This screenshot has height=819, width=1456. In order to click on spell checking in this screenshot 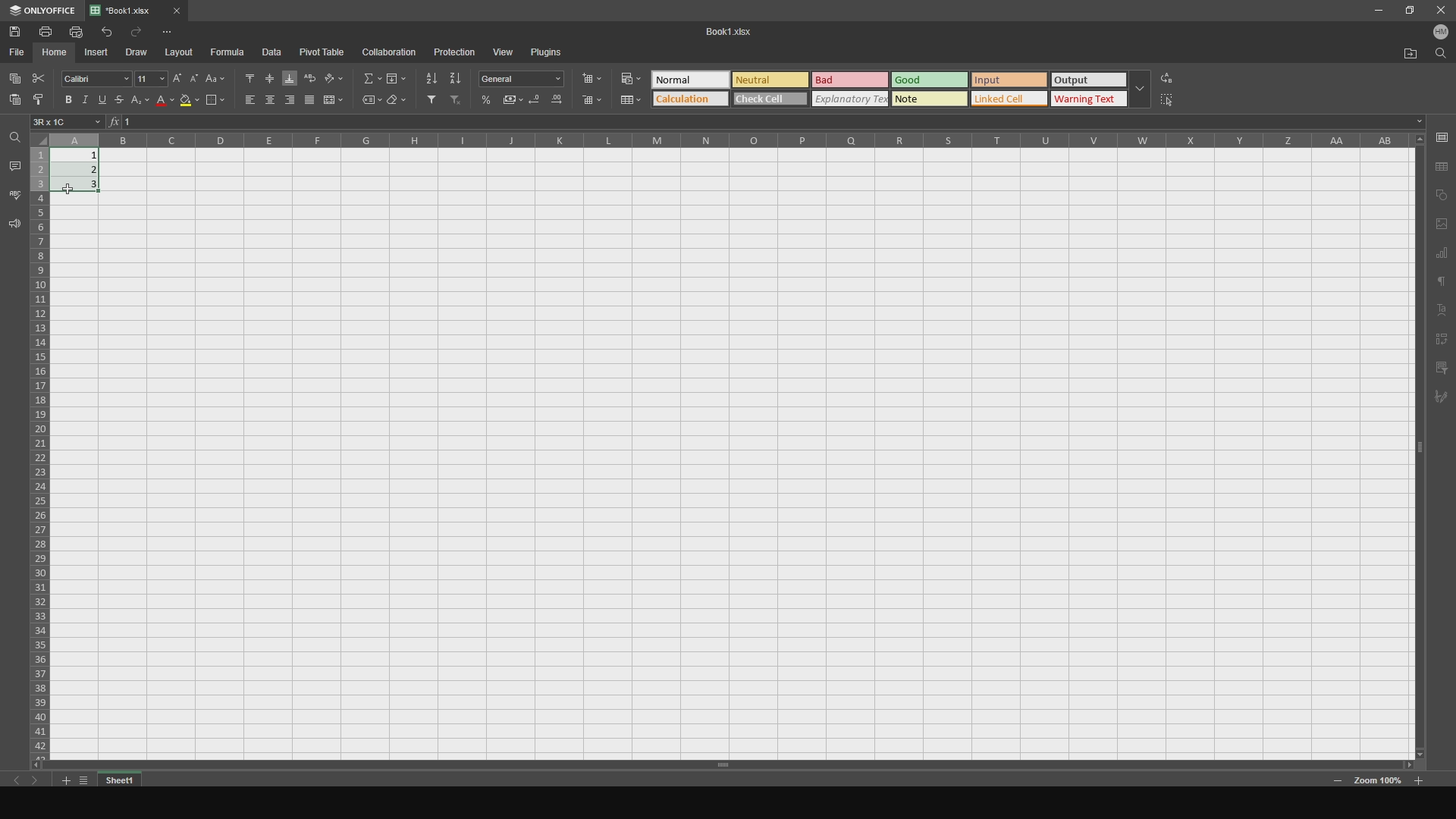, I will do `click(14, 194)`.